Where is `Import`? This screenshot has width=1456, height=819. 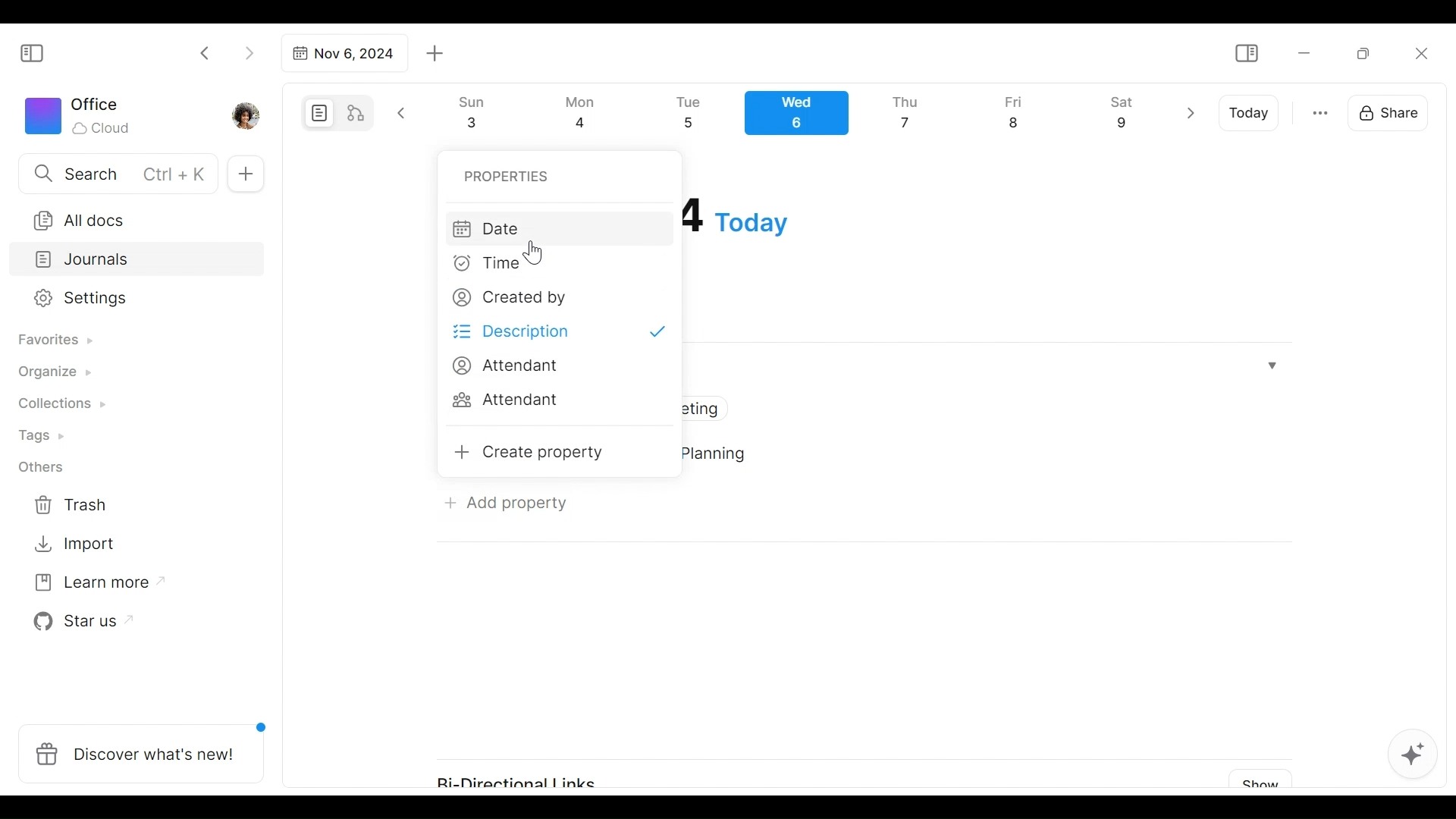
Import is located at coordinates (77, 542).